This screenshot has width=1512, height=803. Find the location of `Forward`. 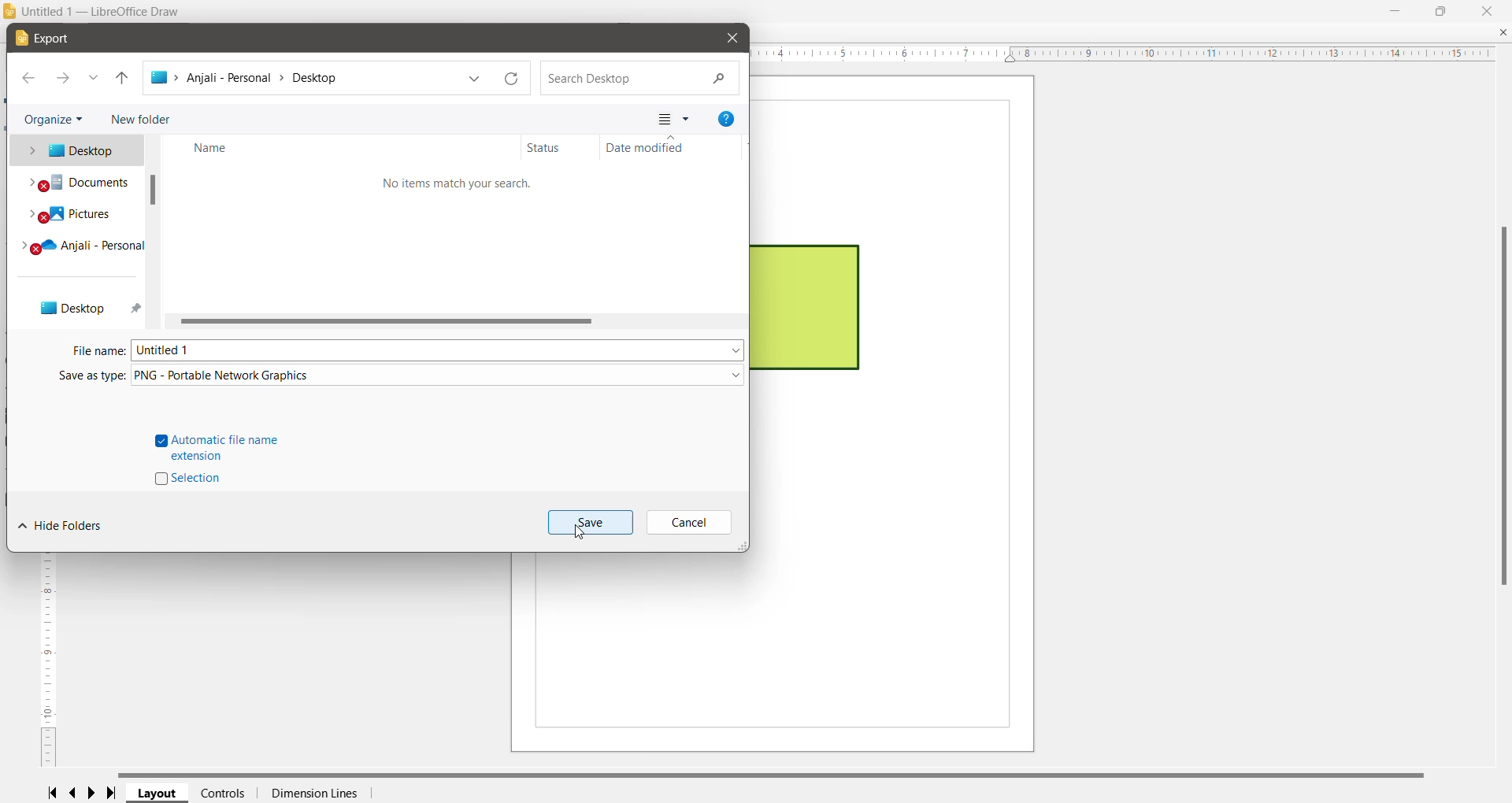

Forward is located at coordinates (63, 80).